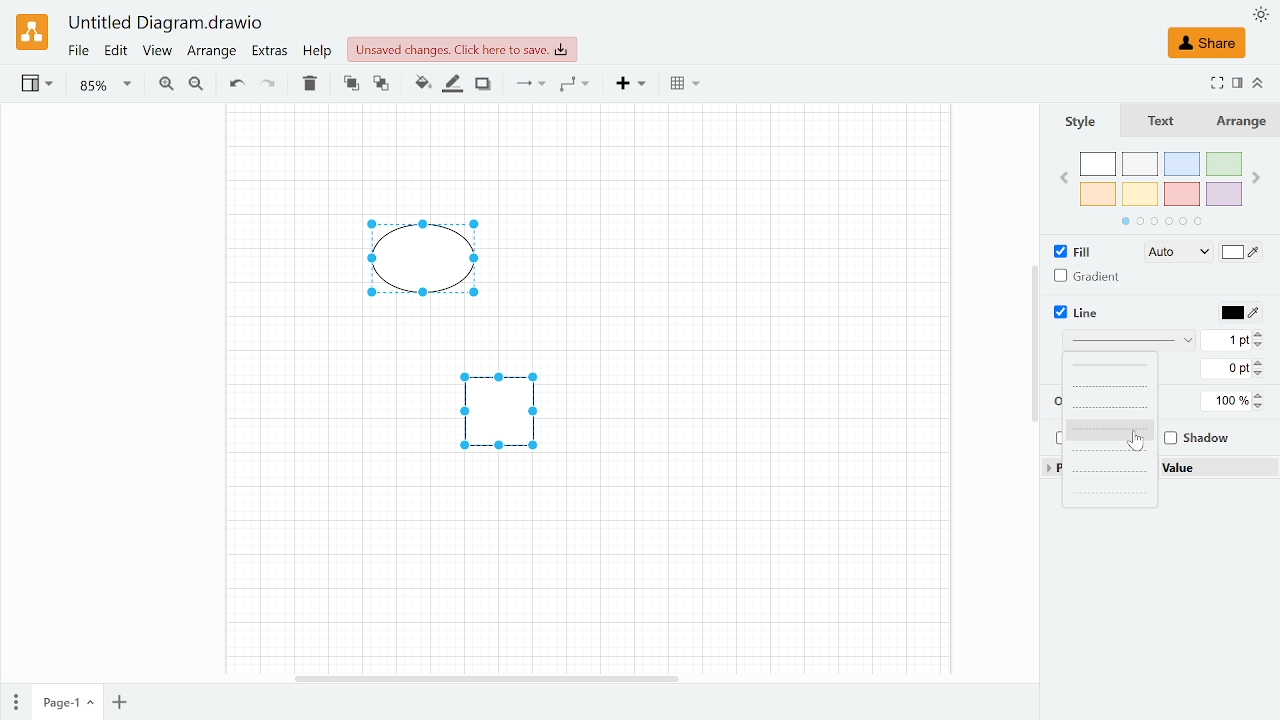  Describe the element at coordinates (1260, 14) in the screenshot. I see `Appearence` at that location.